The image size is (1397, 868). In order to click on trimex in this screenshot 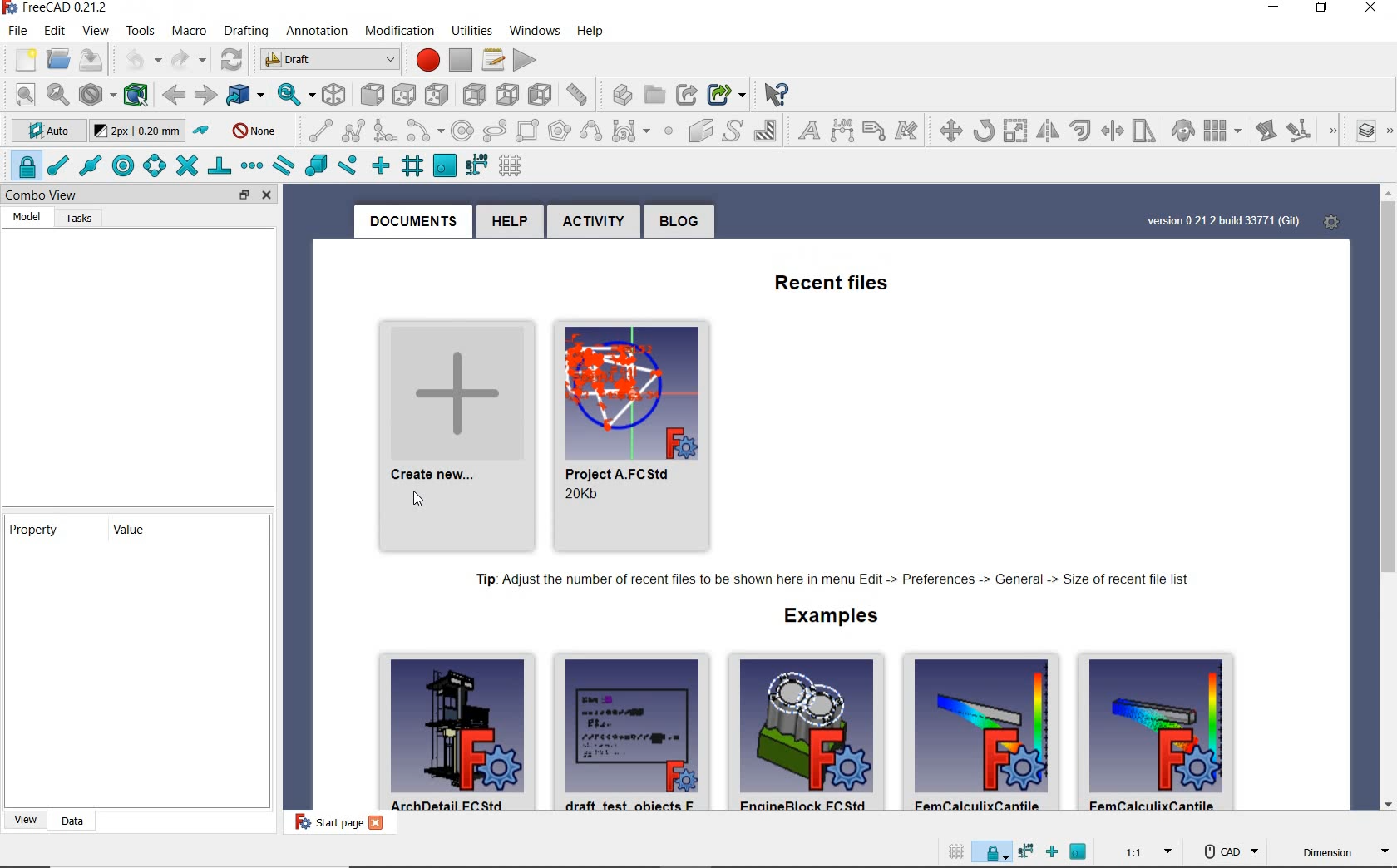, I will do `click(945, 131)`.